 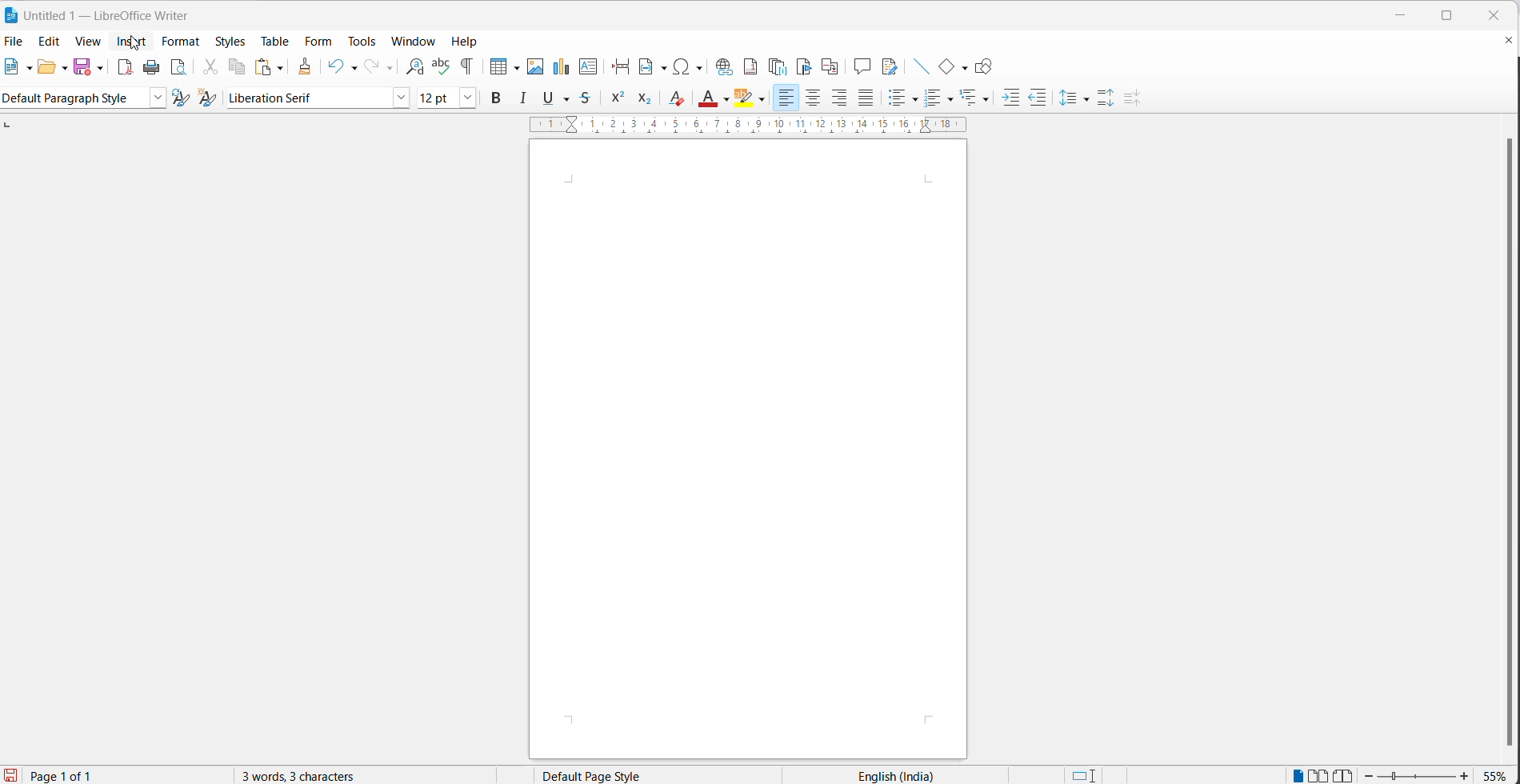 What do you see at coordinates (360, 40) in the screenshot?
I see `tools` at bounding box center [360, 40].